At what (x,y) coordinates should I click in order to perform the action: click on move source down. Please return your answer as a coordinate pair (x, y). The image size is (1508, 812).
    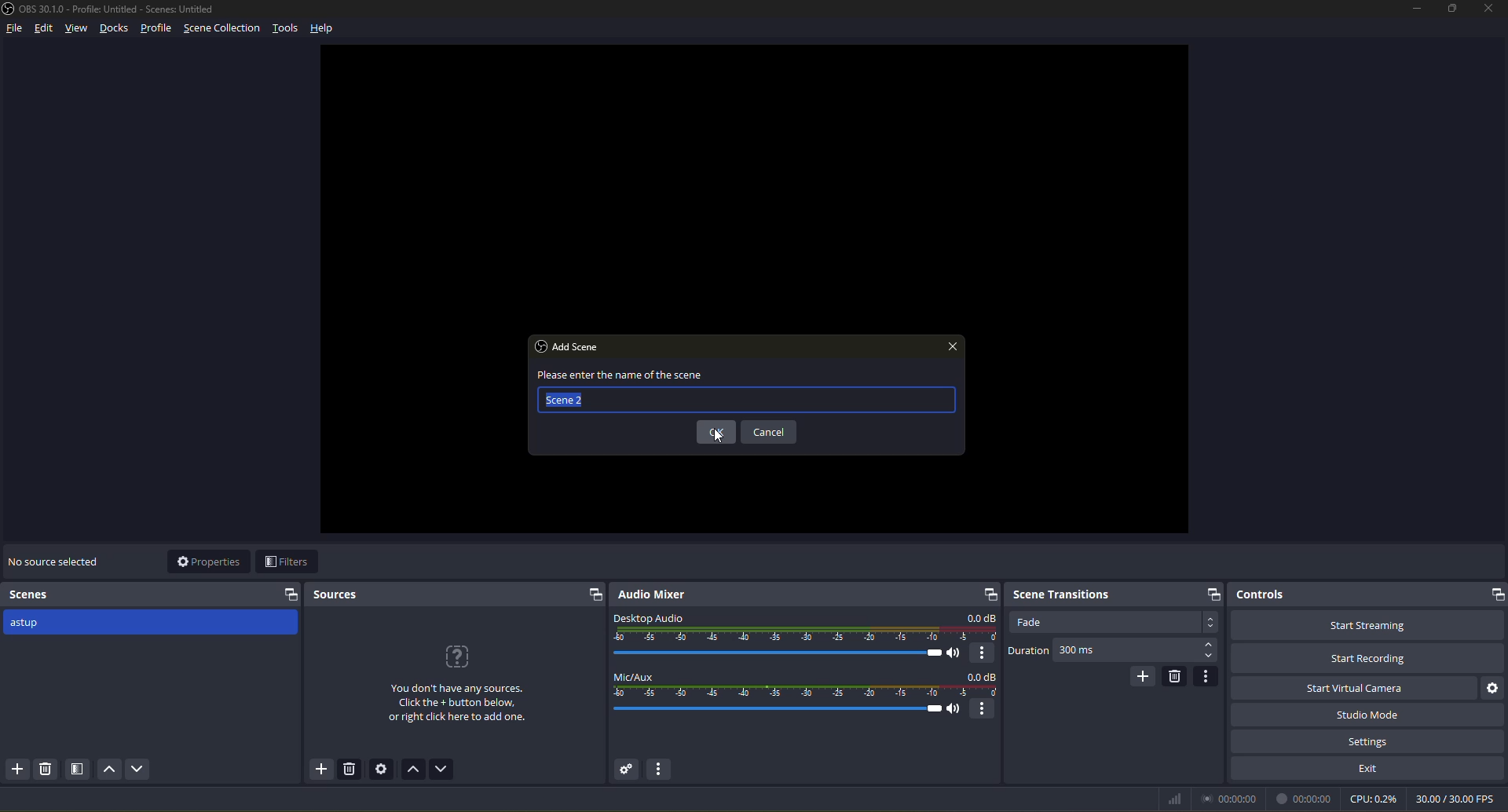
    Looking at the image, I should click on (441, 769).